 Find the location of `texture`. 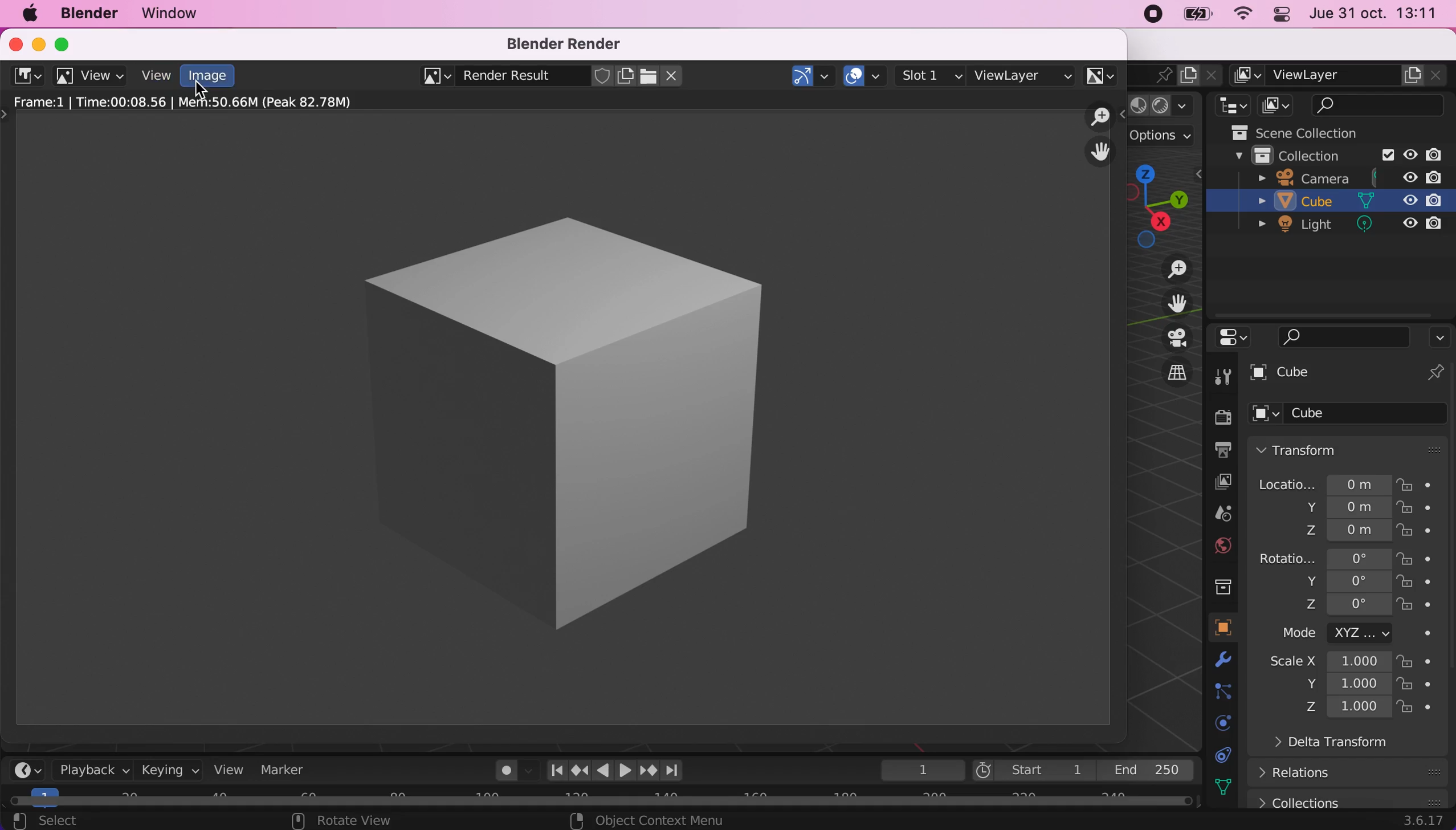

texture is located at coordinates (1229, 787).